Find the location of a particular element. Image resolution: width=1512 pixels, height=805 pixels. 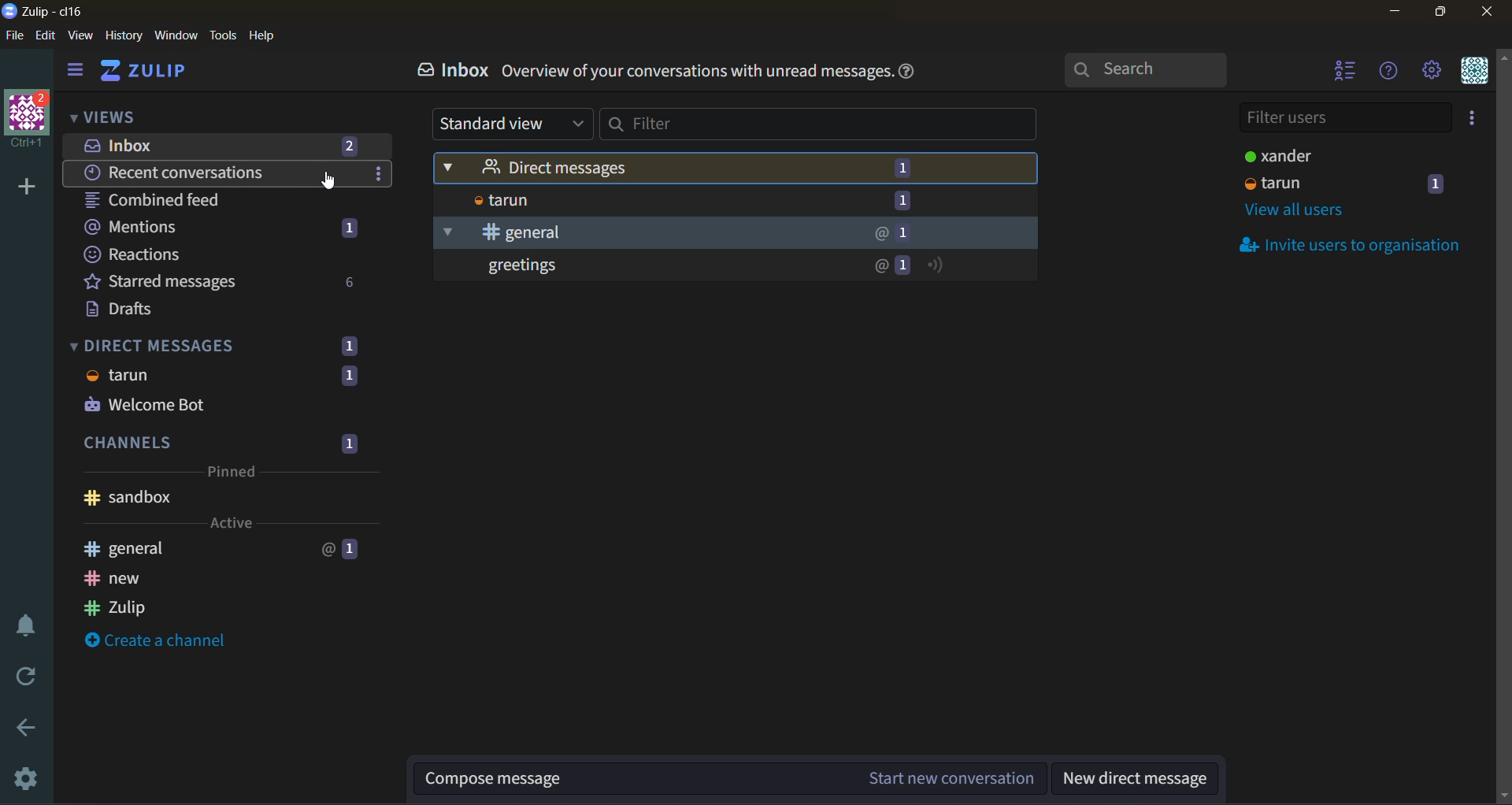

personal menu is located at coordinates (1474, 72).